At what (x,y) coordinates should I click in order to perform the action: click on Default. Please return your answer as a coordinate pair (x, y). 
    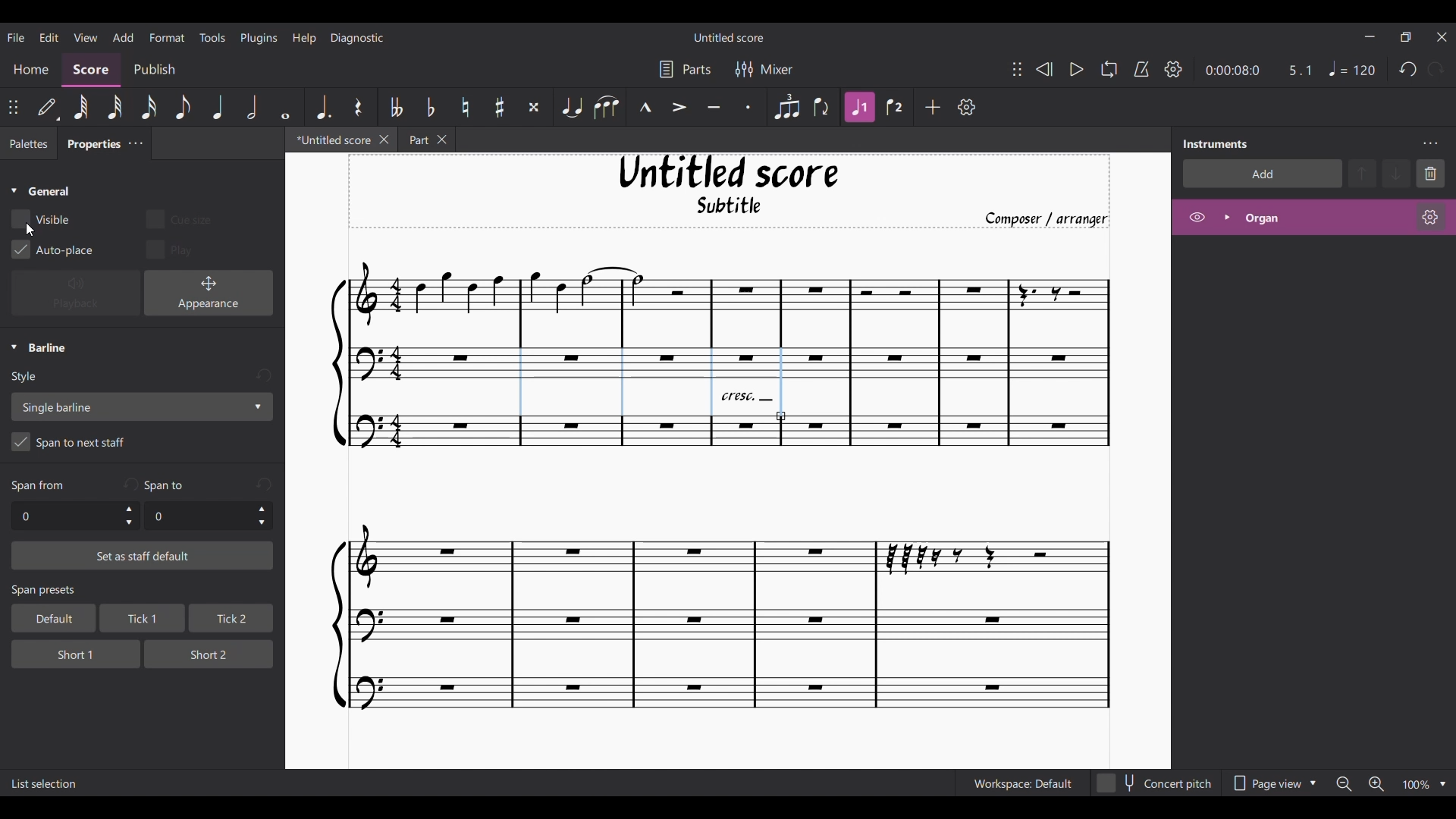
    Looking at the image, I should click on (48, 108).